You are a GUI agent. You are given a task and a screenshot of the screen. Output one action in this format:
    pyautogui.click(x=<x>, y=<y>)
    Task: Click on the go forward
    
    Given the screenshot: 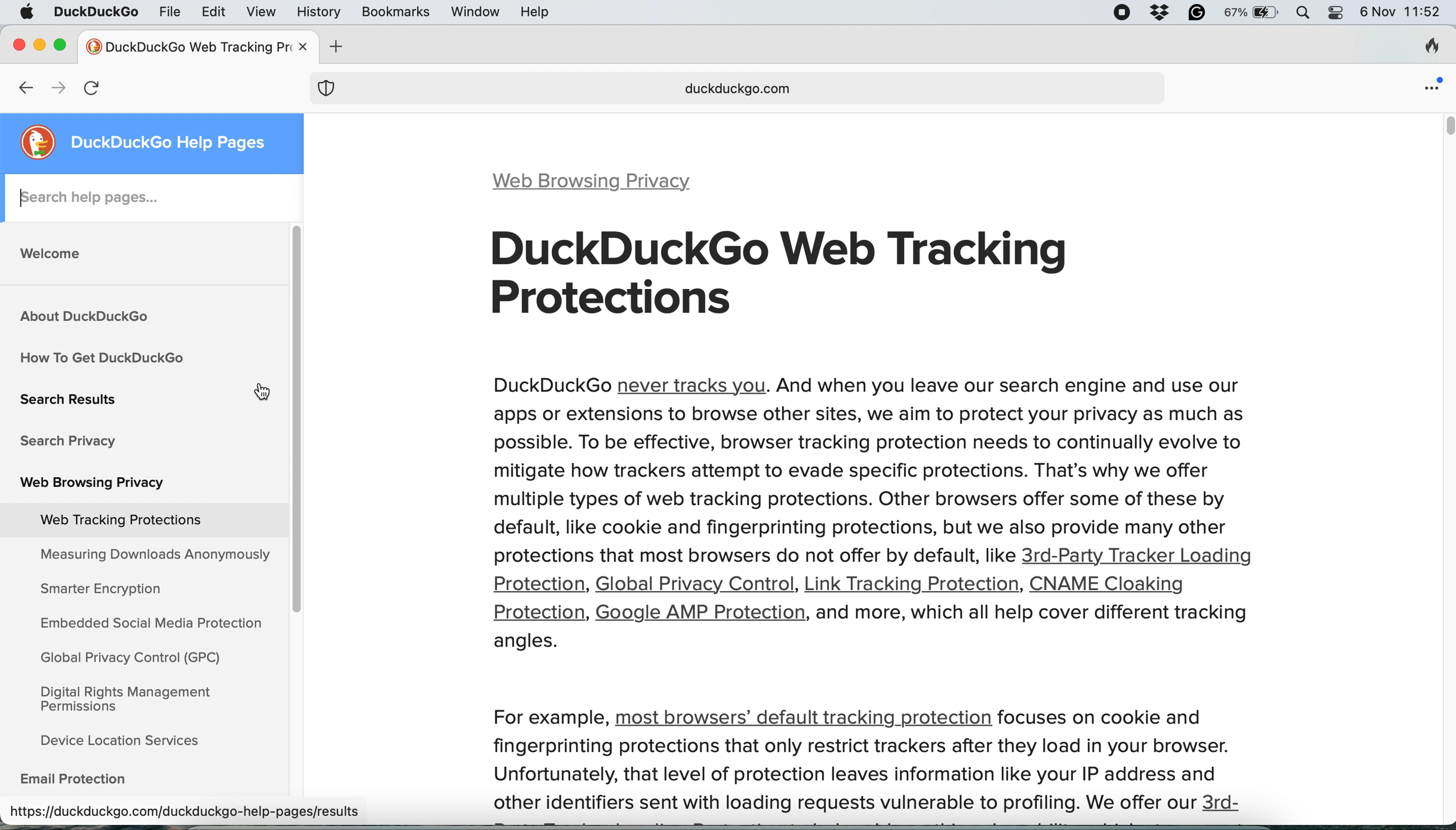 What is the action you would take?
    pyautogui.click(x=59, y=86)
    